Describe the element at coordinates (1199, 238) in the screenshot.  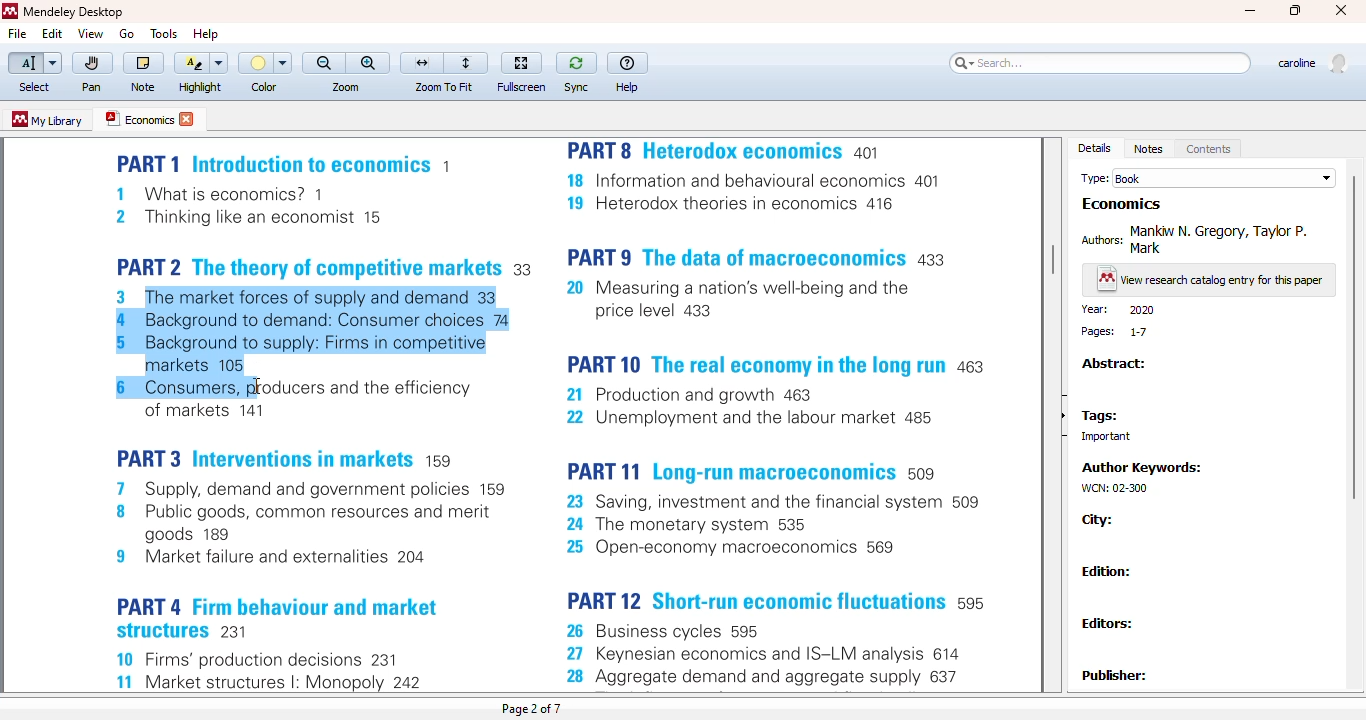
I see `authors: Mankiw N. Gregory Taylor P. Mark` at that location.